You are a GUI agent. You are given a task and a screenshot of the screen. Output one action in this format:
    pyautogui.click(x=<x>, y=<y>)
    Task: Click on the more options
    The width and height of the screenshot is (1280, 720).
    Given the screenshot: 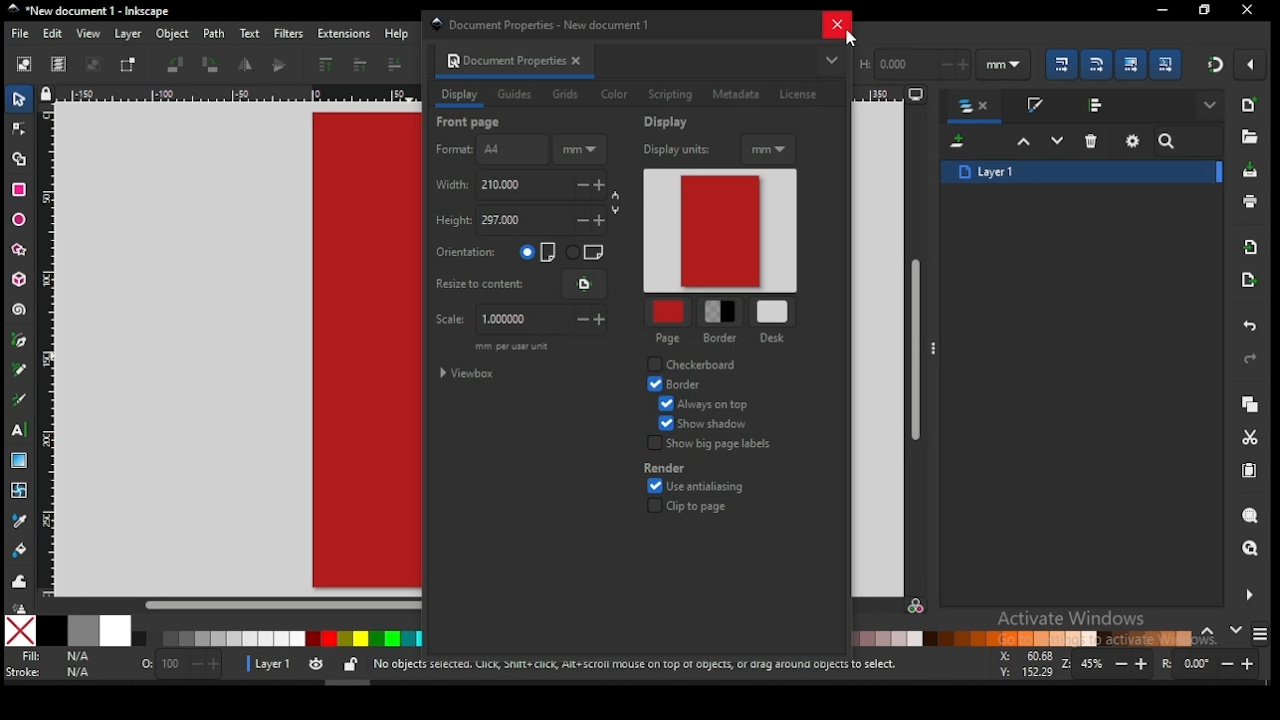 What is the action you would take?
    pyautogui.click(x=936, y=347)
    